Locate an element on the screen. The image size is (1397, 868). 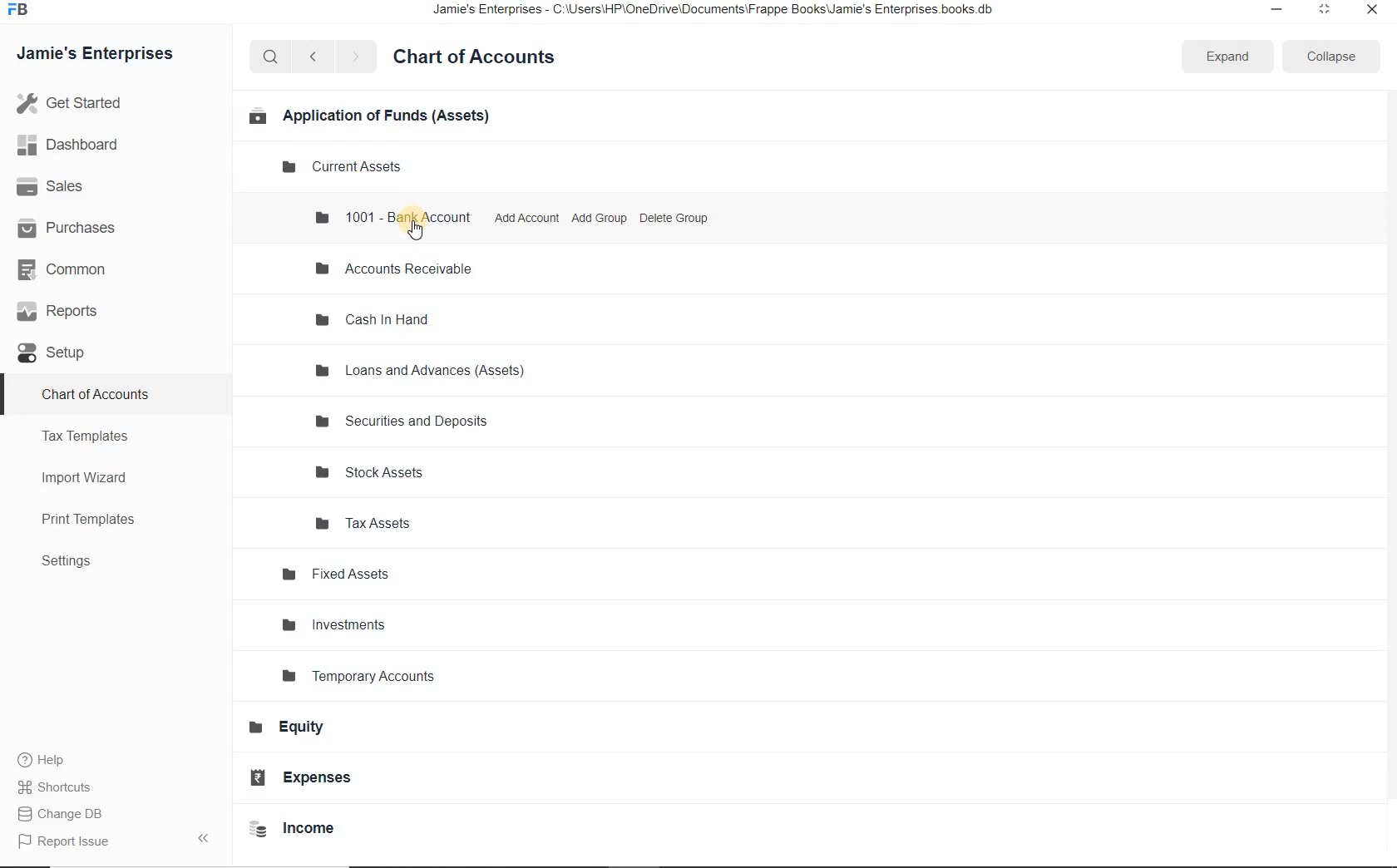
Settings is located at coordinates (74, 562).